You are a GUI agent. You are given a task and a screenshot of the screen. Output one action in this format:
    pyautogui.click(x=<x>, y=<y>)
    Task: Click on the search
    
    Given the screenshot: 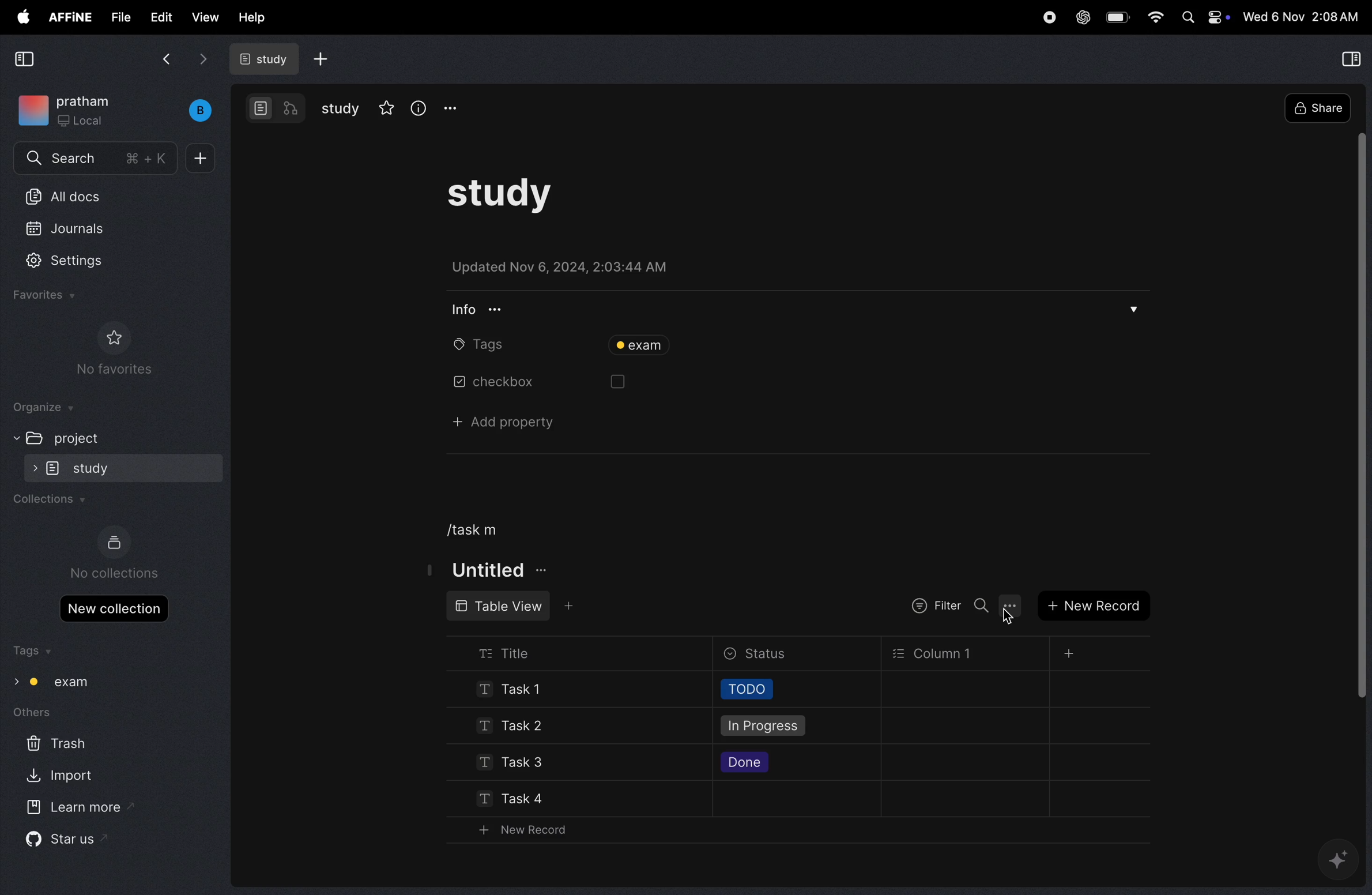 What is the action you would take?
    pyautogui.click(x=979, y=606)
    